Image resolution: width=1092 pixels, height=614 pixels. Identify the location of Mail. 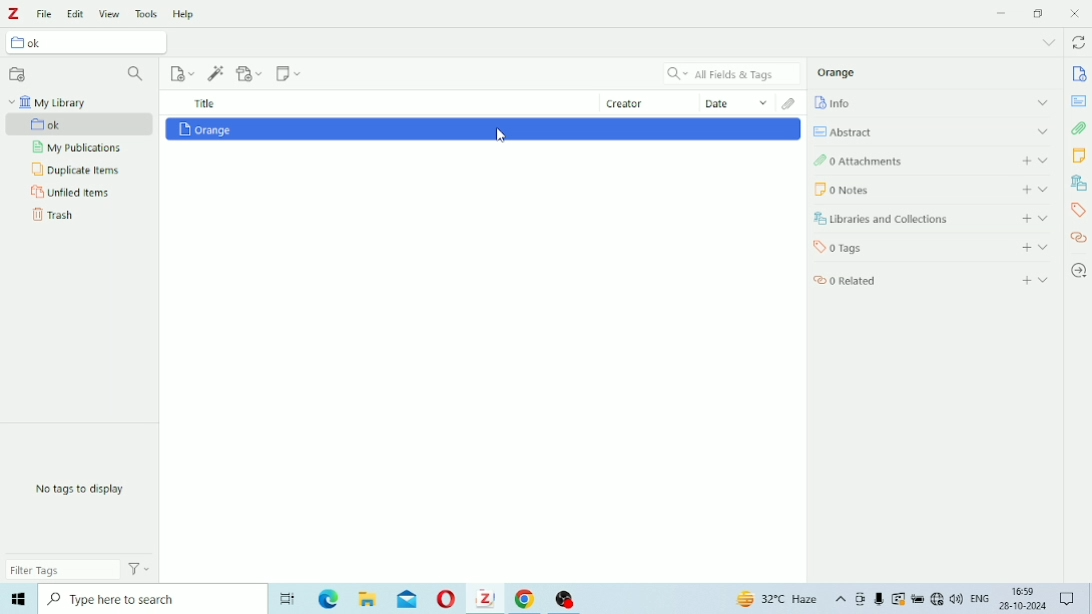
(407, 599).